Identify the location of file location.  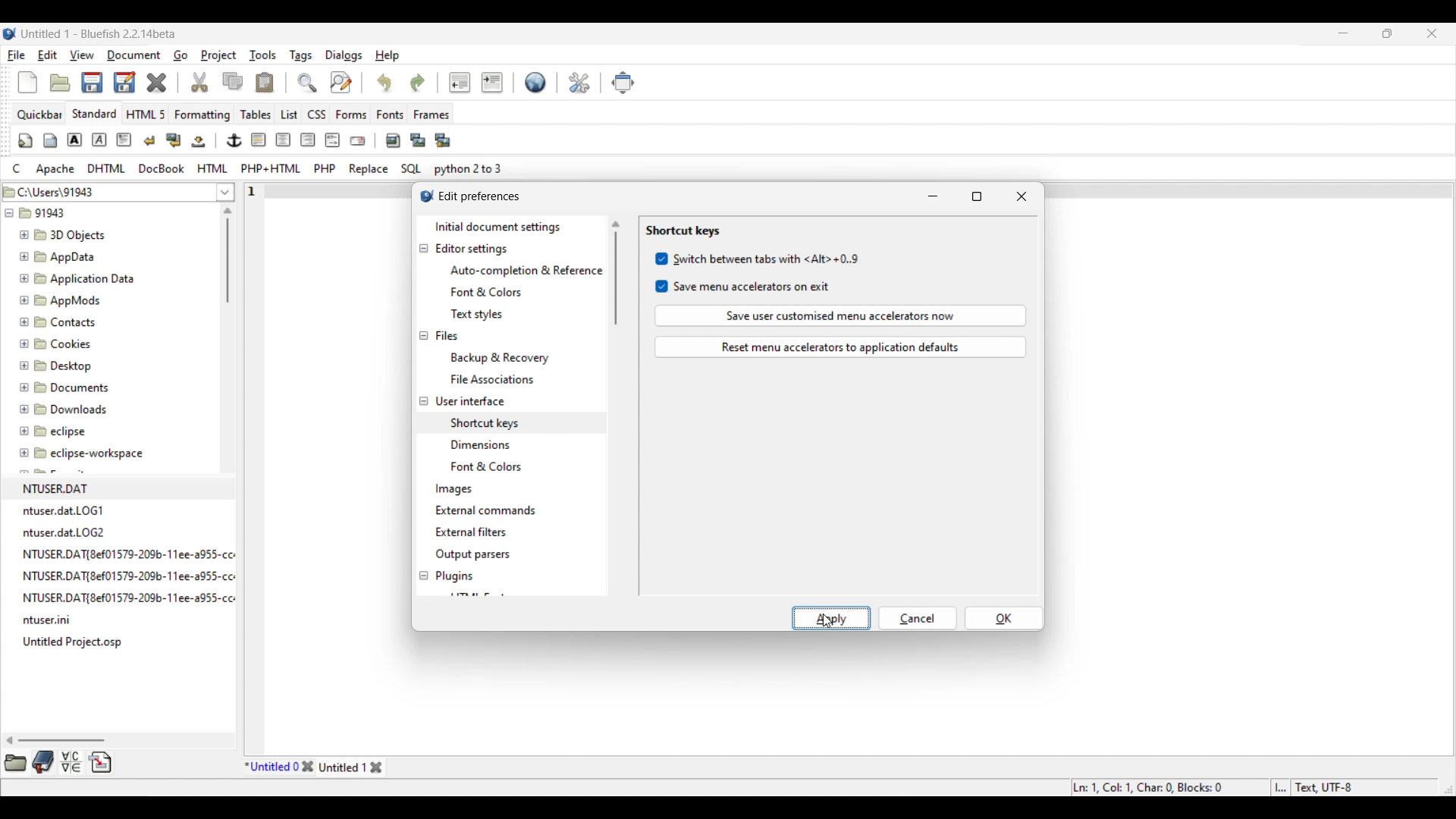
(62, 190).